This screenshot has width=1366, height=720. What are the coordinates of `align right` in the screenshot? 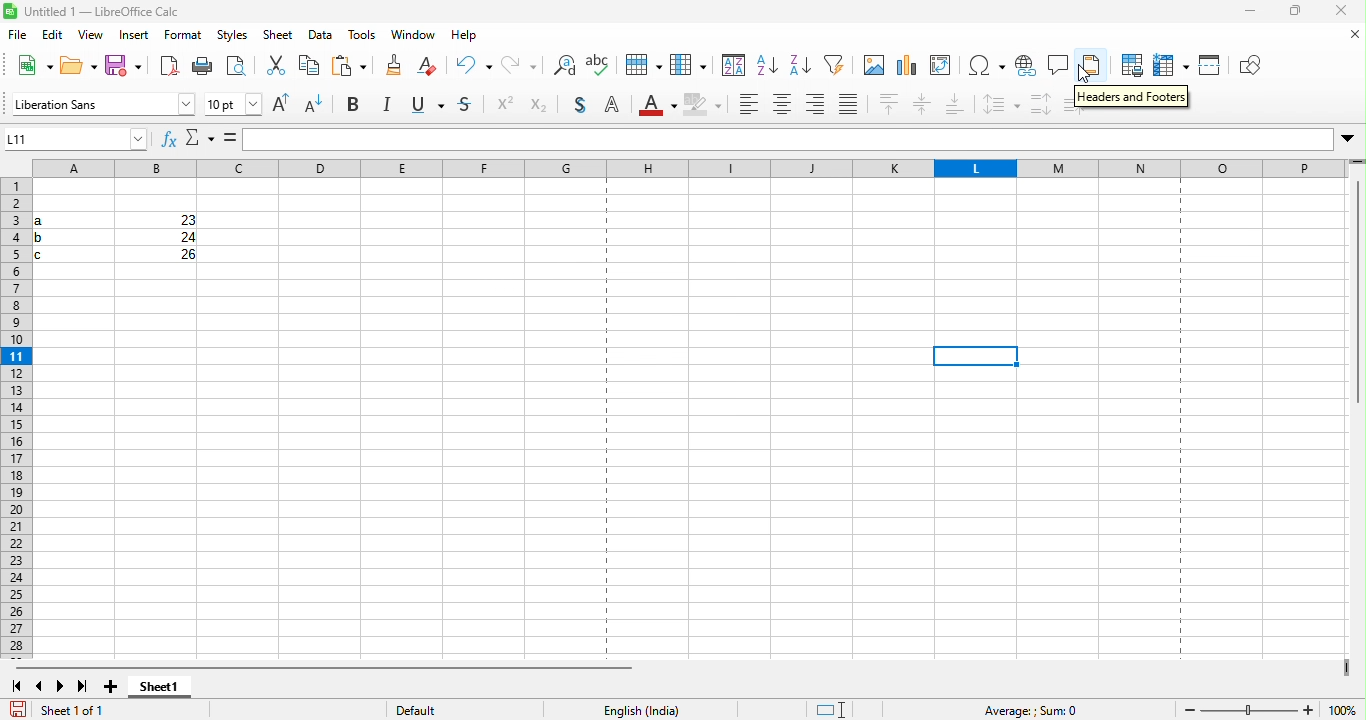 It's located at (818, 109).